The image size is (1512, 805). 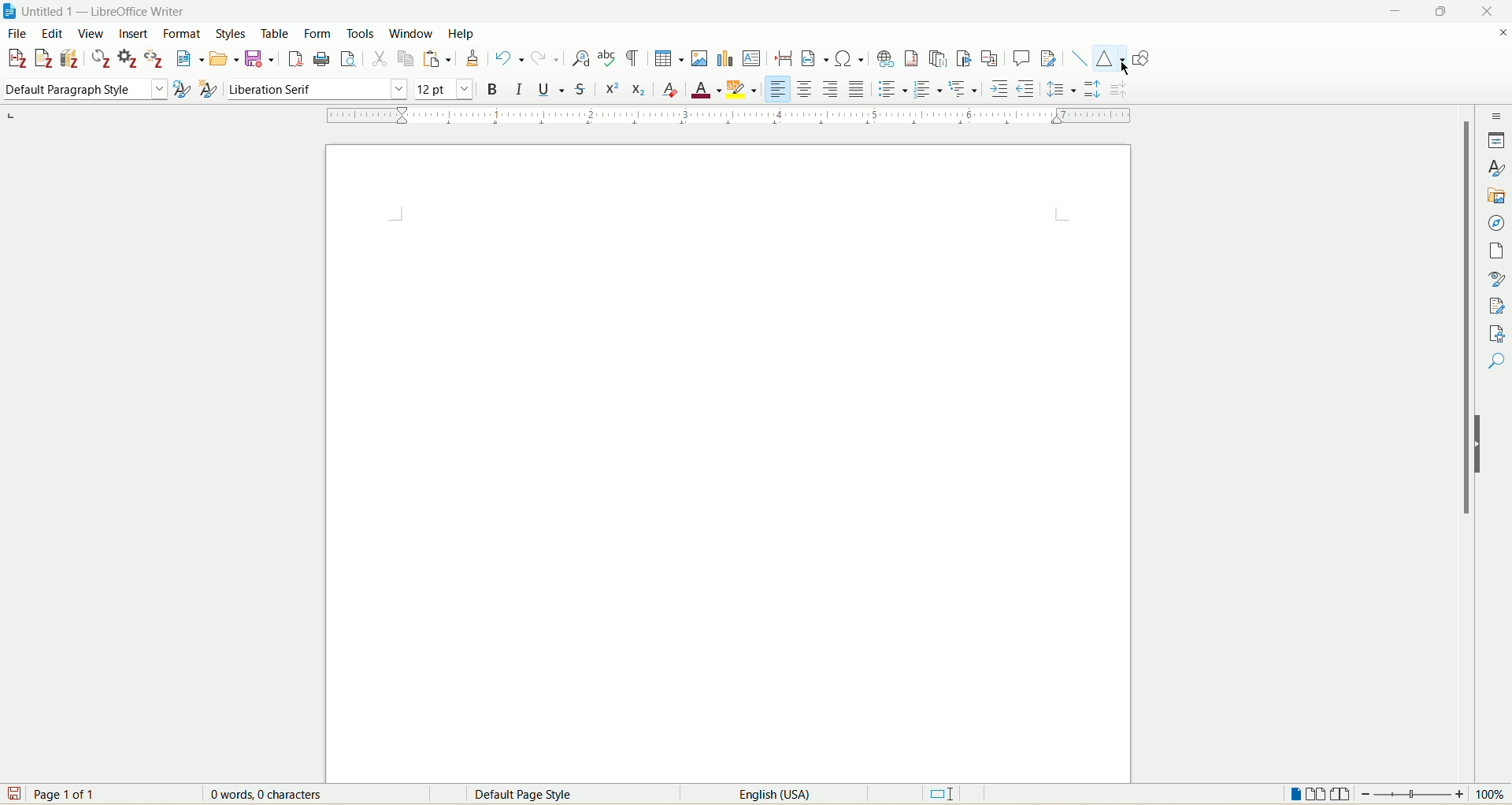 What do you see at coordinates (1024, 58) in the screenshot?
I see `insert comment` at bounding box center [1024, 58].